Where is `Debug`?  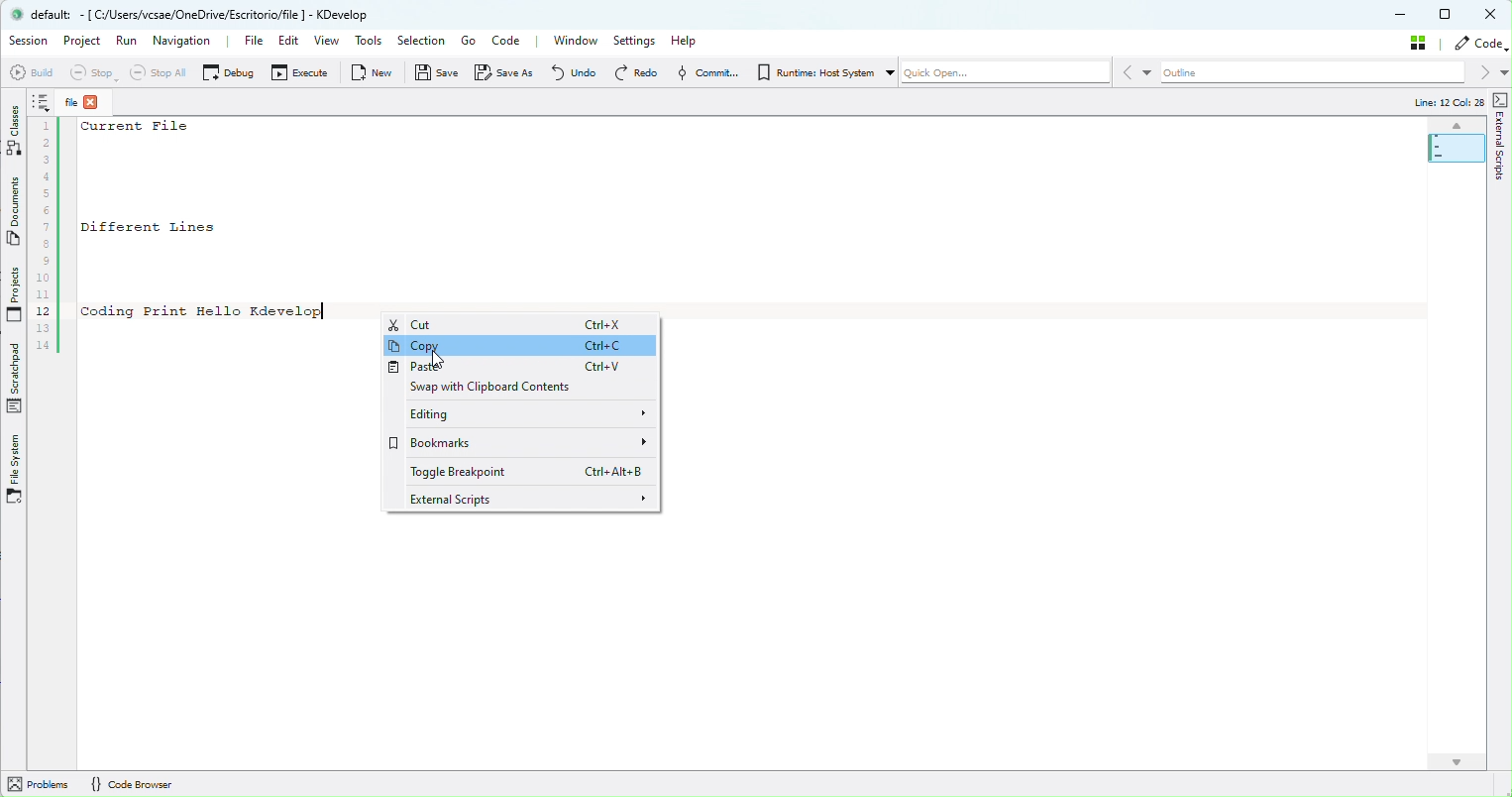 Debug is located at coordinates (229, 73).